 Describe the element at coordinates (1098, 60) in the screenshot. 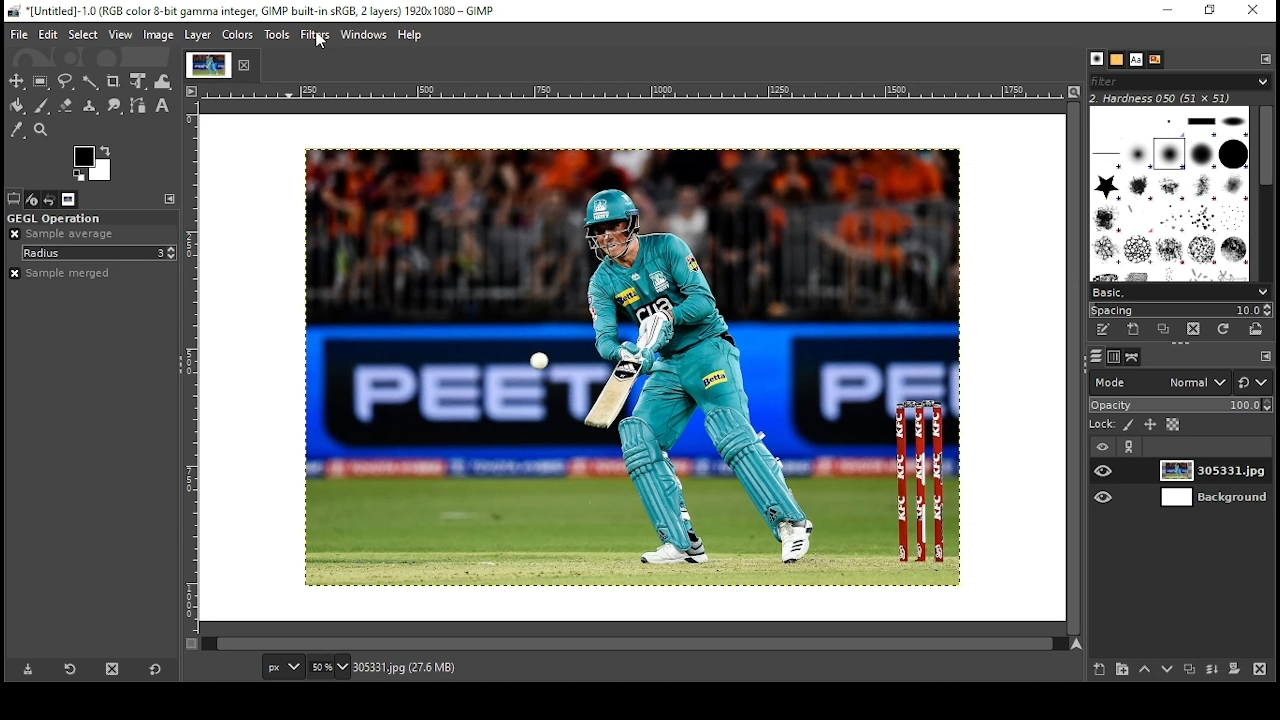

I see `brushes` at that location.